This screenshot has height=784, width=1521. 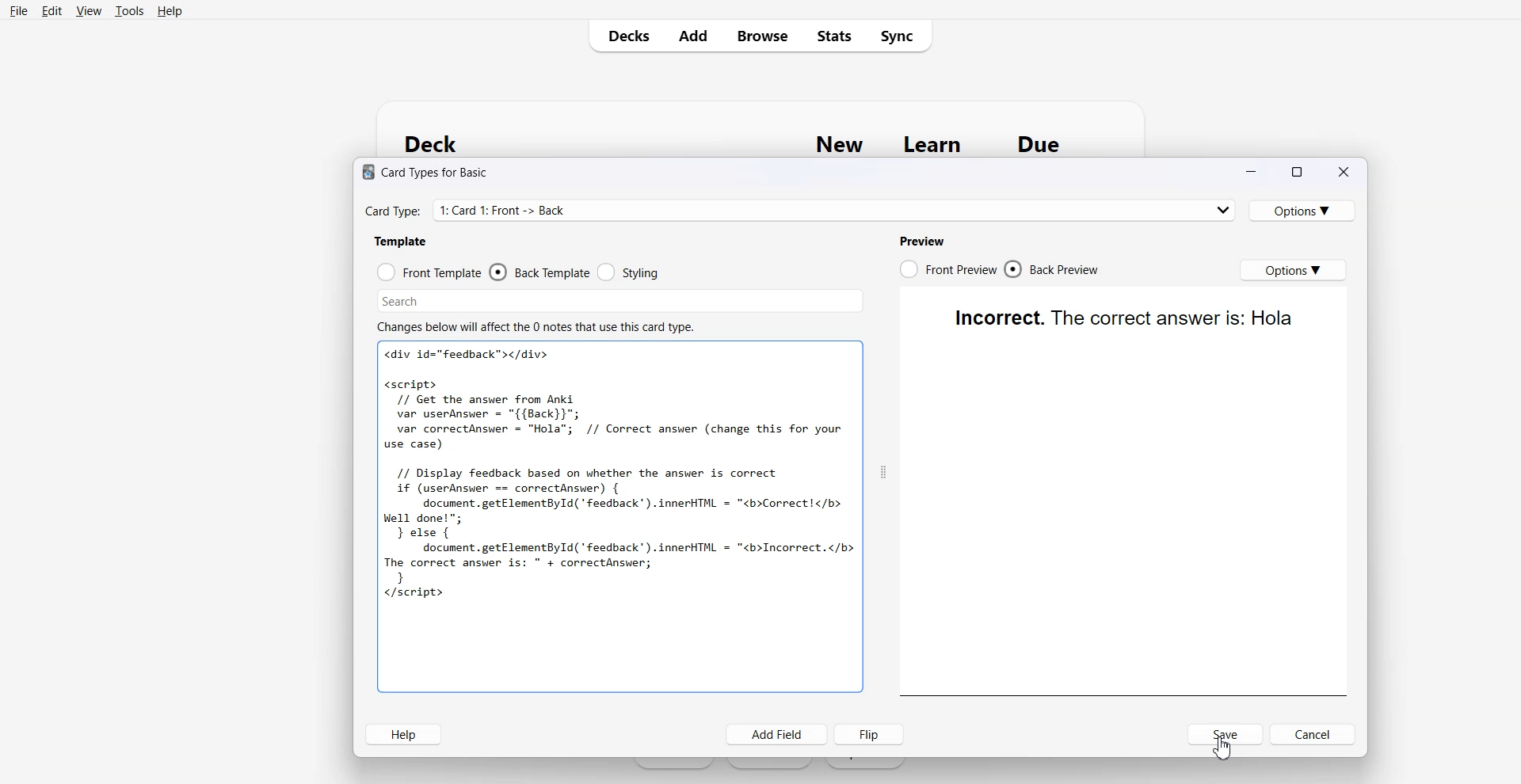 What do you see at coordinates (620, 479) in the screenshot?
I see `<div id="feedback"></div>
<script>
// Get the answer from Anki
var userAnswer = "{{Back}}";
var correctAnswer = "Hola"; // Correct answer (change this for your
use case)
// Display feedback based on whether the answer is correct
if (userAnswer == correctAnsuer) {
document . getElementByTd( feedback’). innerHTML = "<b>Correct!</b>
Well done!";
} else {
document . getElementByTd( "feedback" ).innerHTML = "<b>Incorrect.</b>
The correct answer is: " + correctAnswer;
}
</script>` at bounding box center [620, 479].